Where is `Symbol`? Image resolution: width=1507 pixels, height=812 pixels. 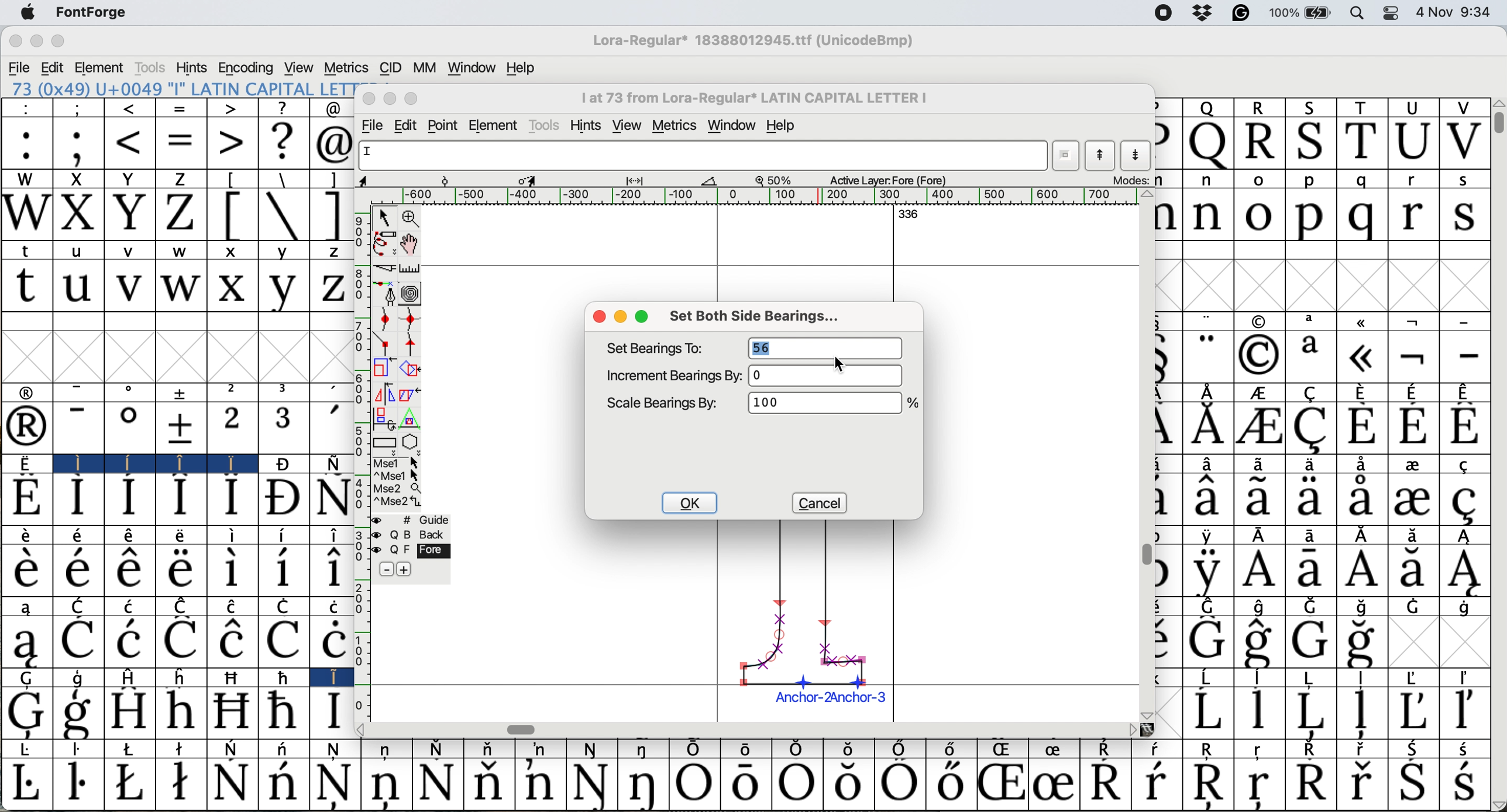 Symbol is located at coordinates (1206, 711).